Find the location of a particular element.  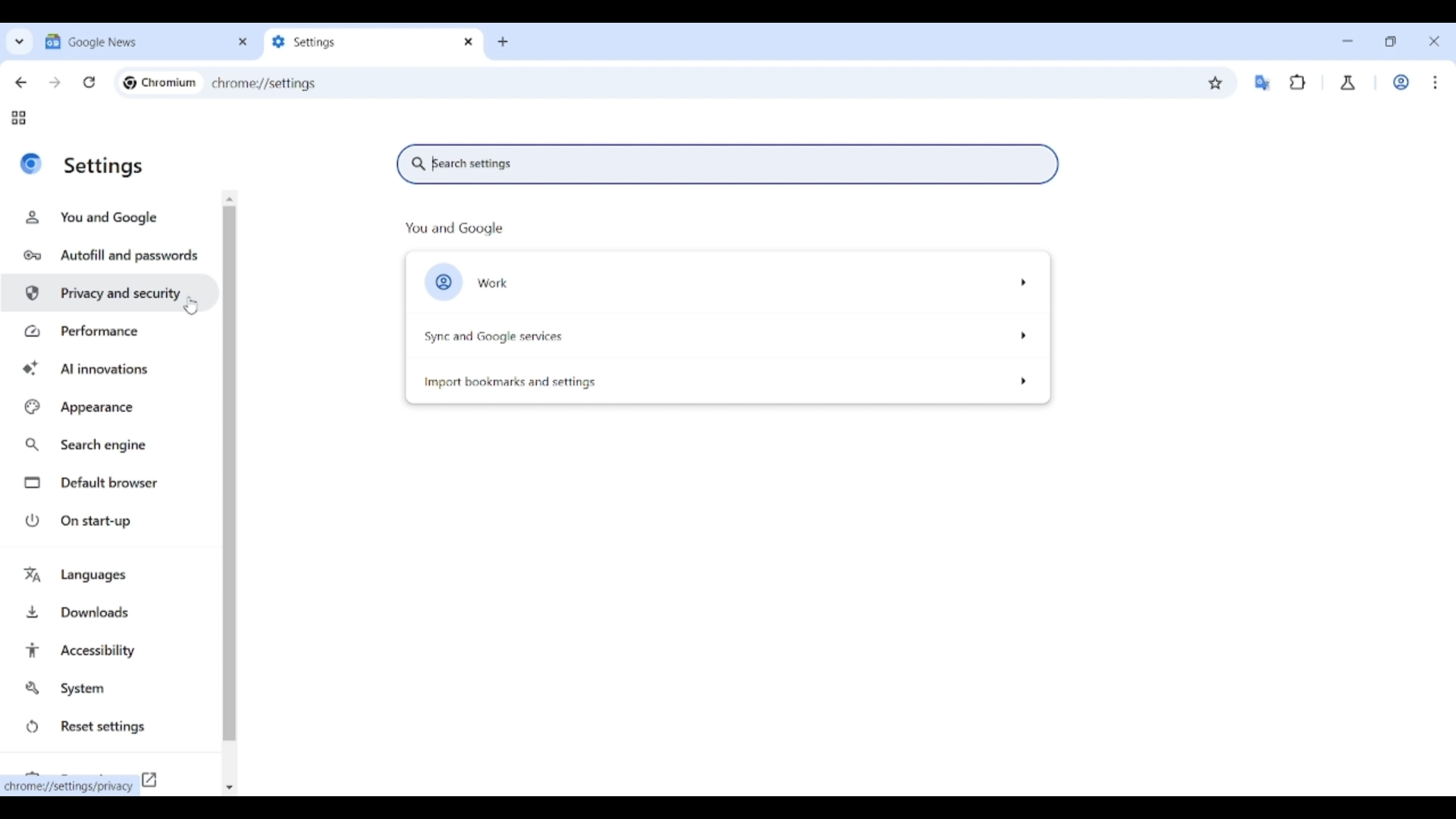

Search settings is located at coordinates (726, 165).